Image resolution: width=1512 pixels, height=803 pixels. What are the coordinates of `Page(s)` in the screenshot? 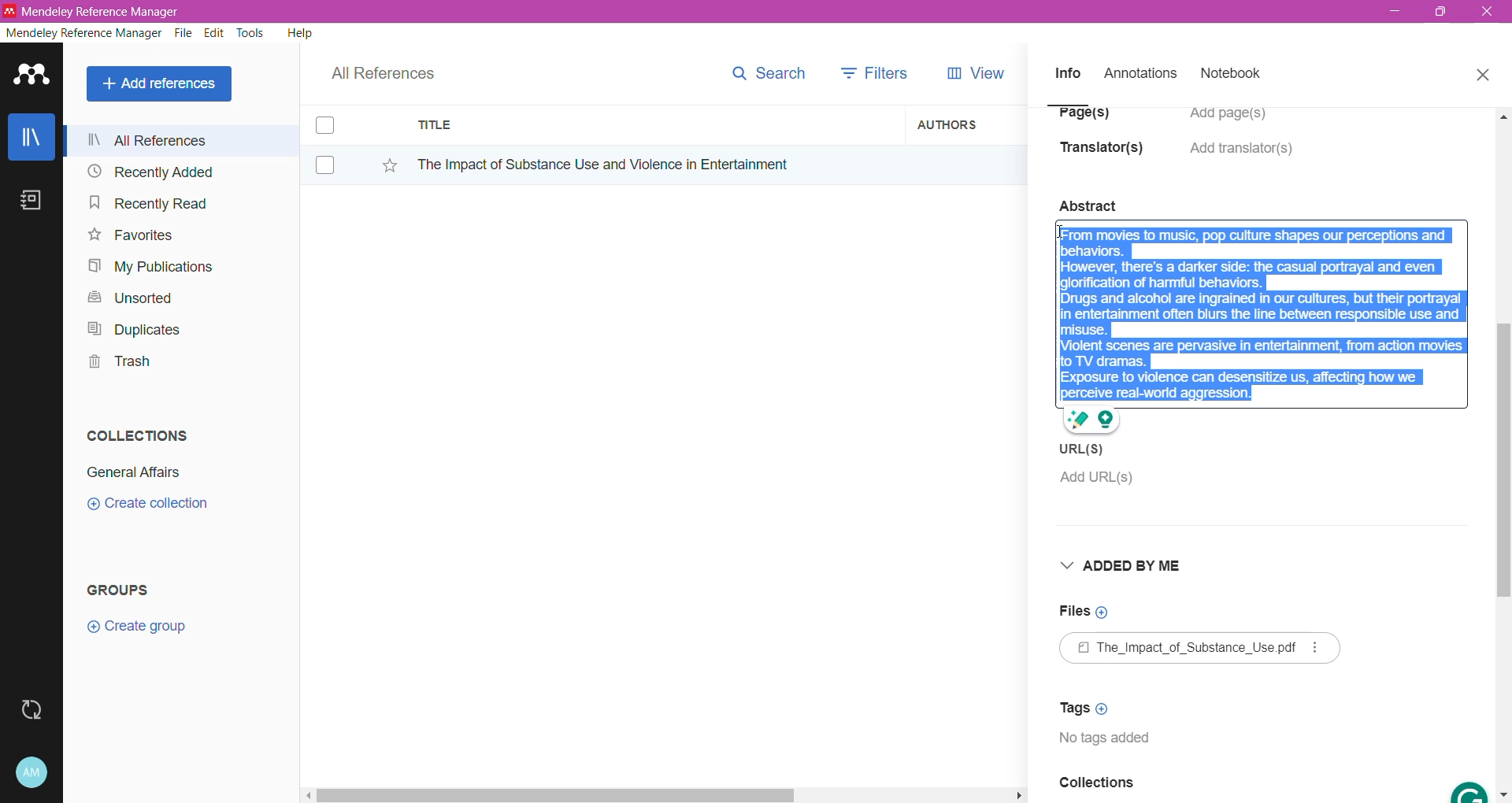 It's located at (1082, 119).